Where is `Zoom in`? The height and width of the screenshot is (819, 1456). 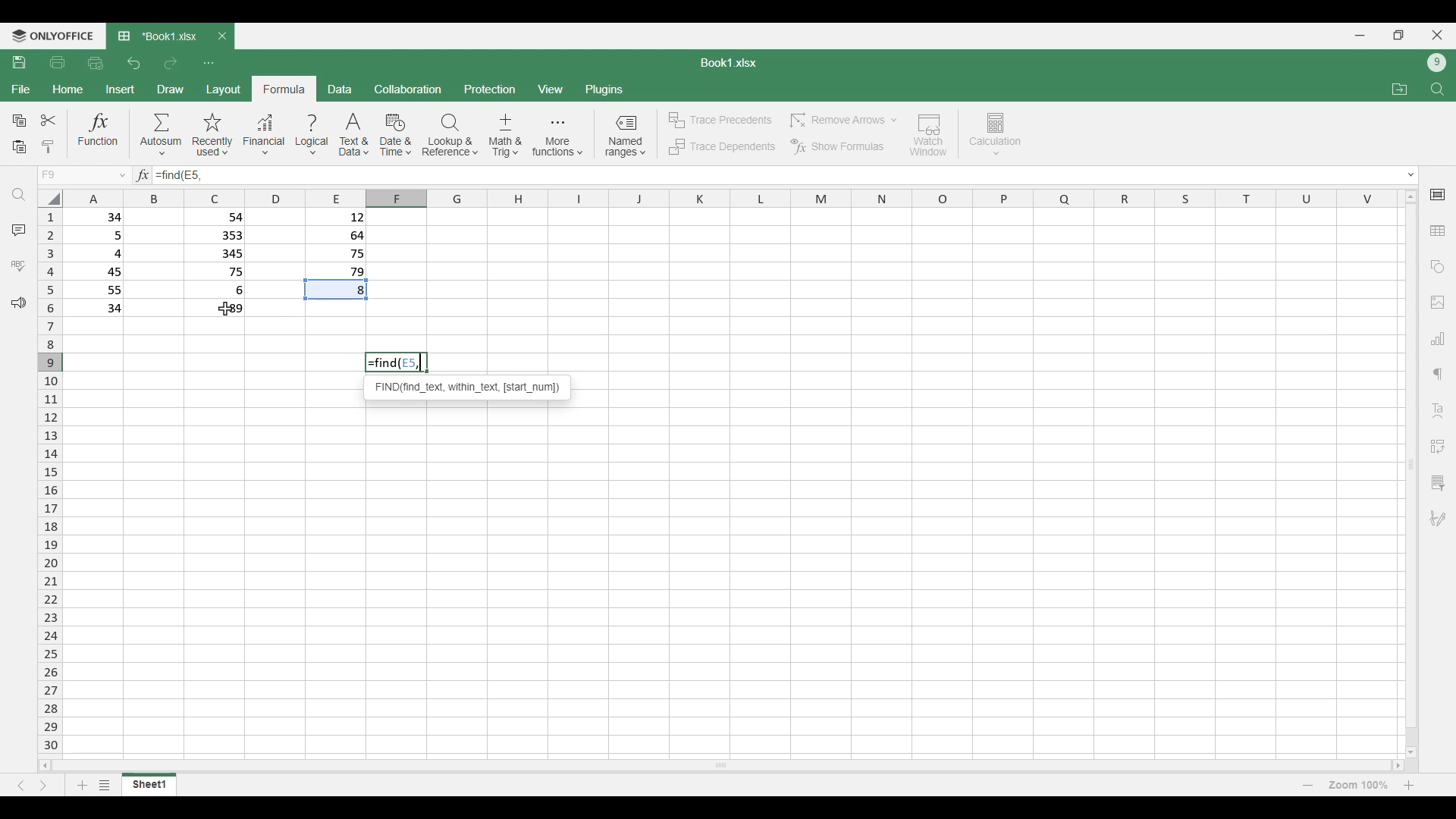 Zoom in is located at coordinates (1409, 785).